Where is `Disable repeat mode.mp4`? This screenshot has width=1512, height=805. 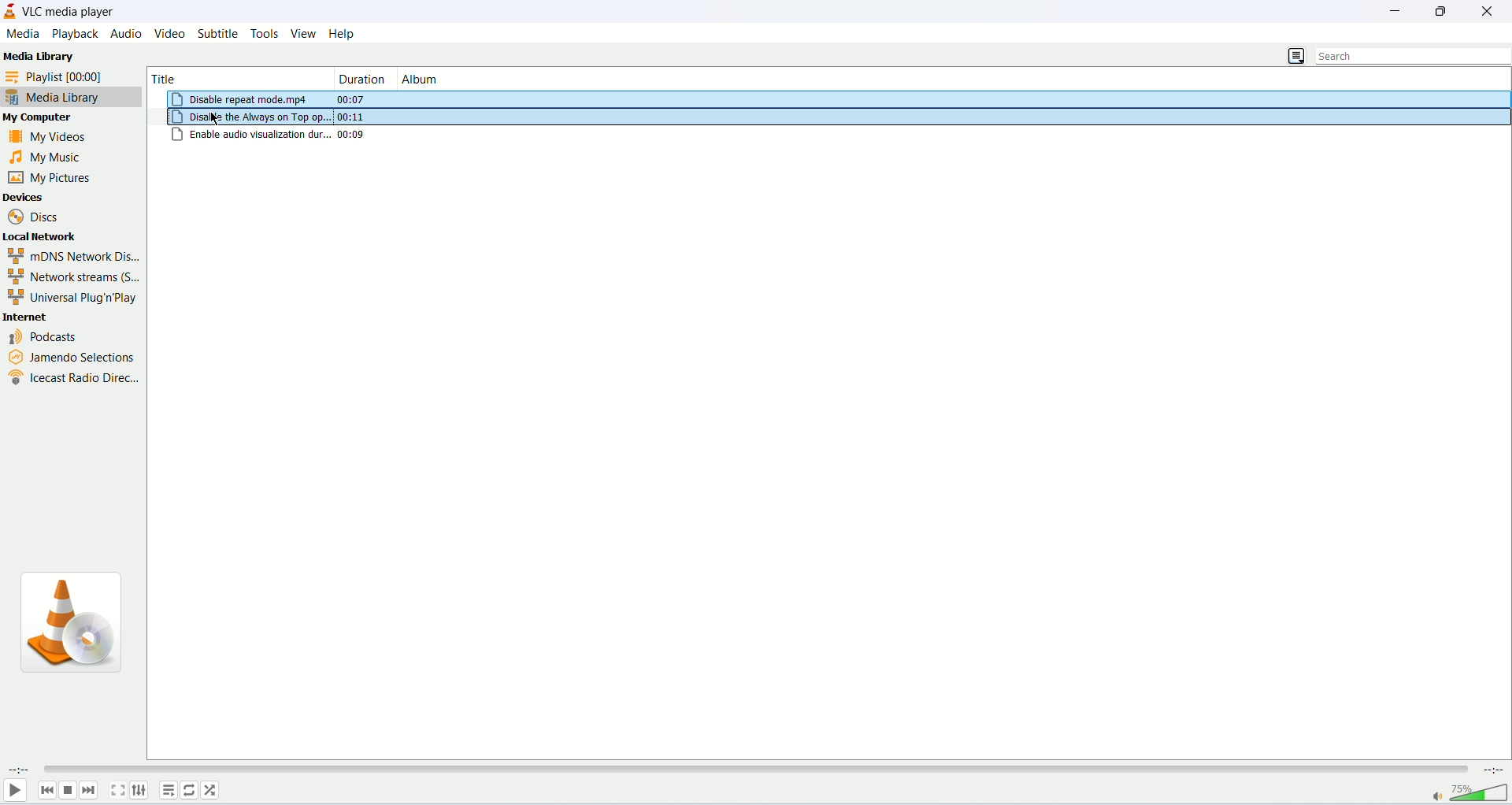
Disable repeat mode.mp4 is located at coordinates (242, 99).